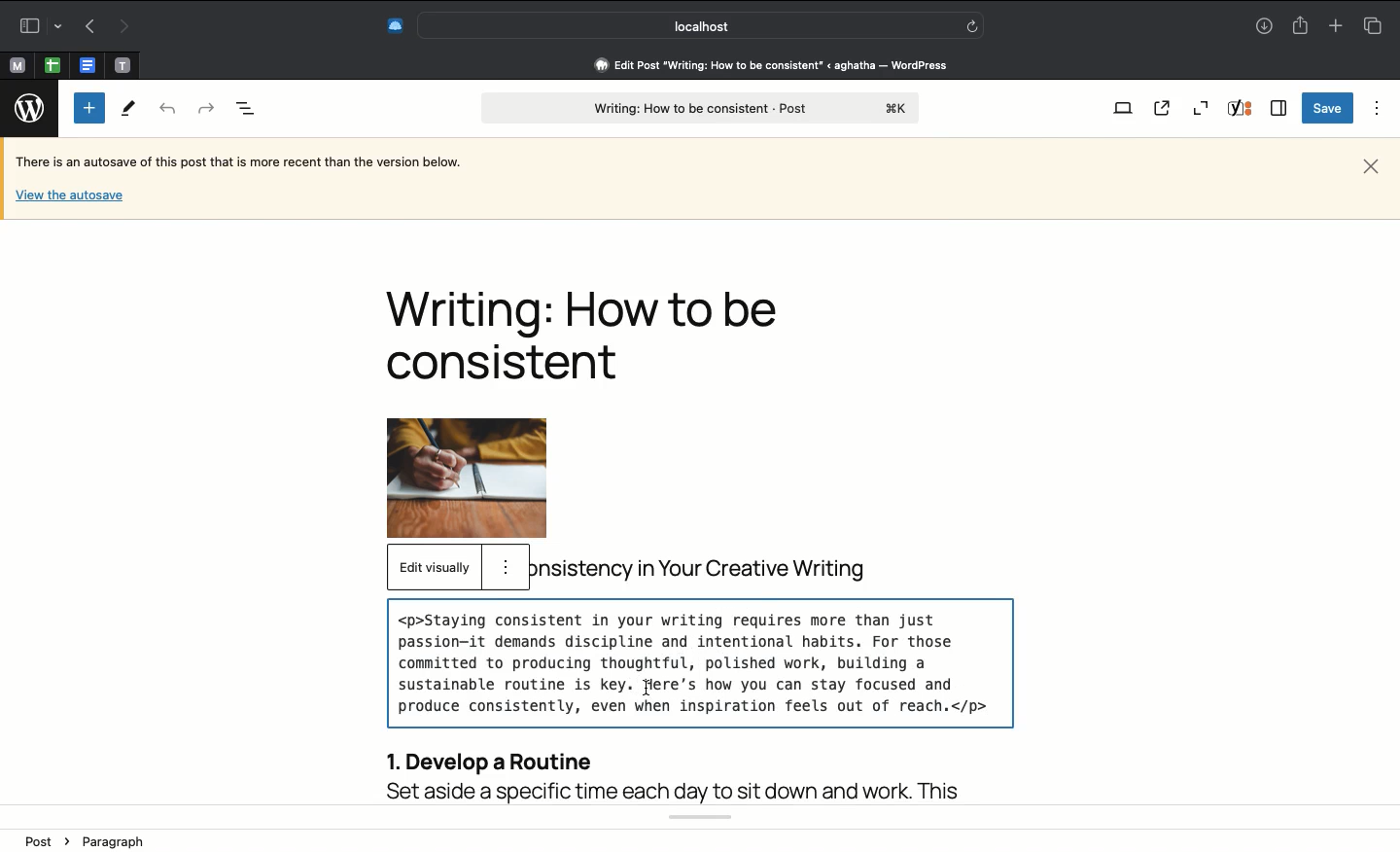 This screenshot has height=852, width=1400. I want to click on Downloads, so click(1264, 27).